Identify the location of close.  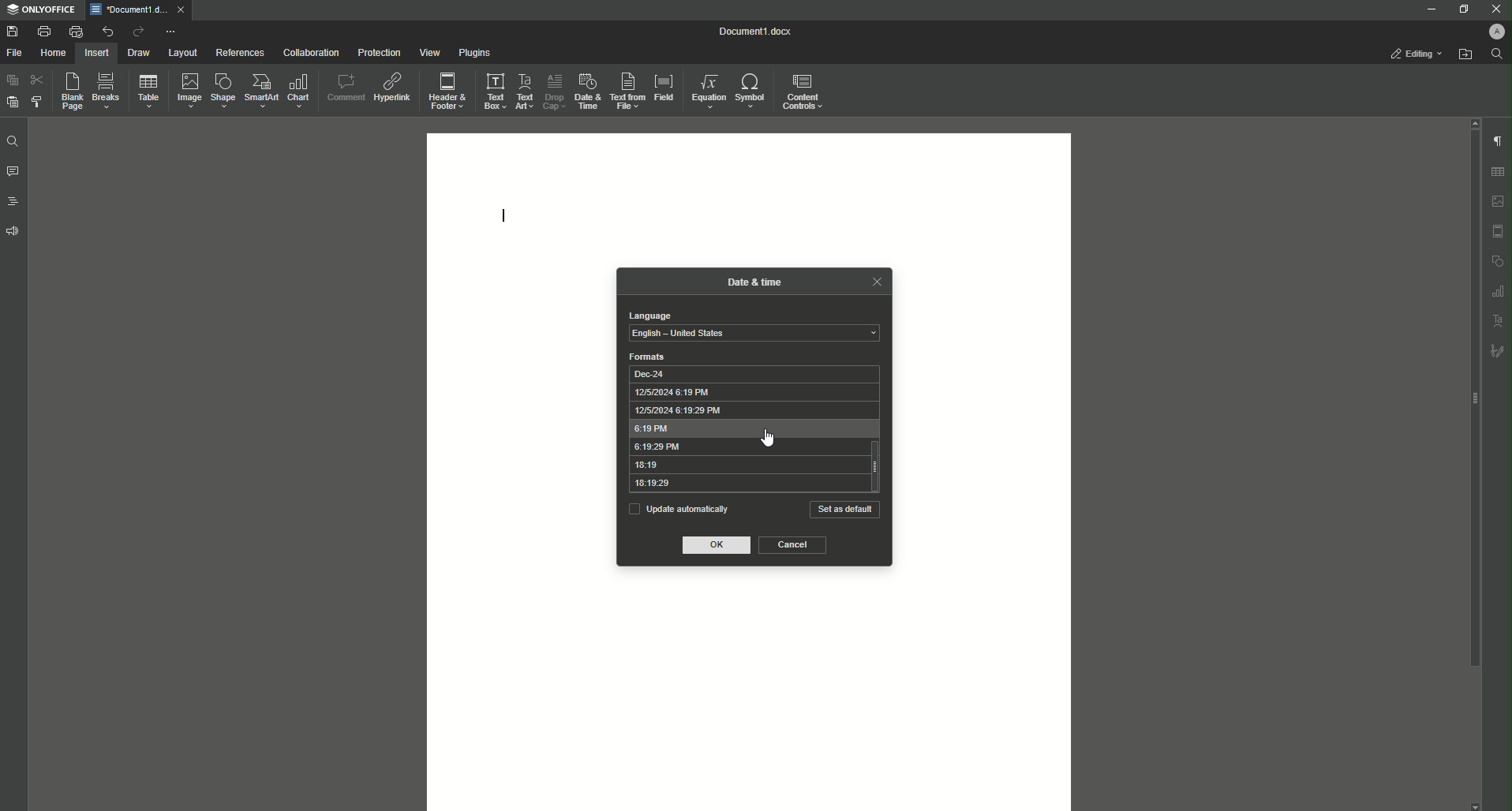
(876, 281).